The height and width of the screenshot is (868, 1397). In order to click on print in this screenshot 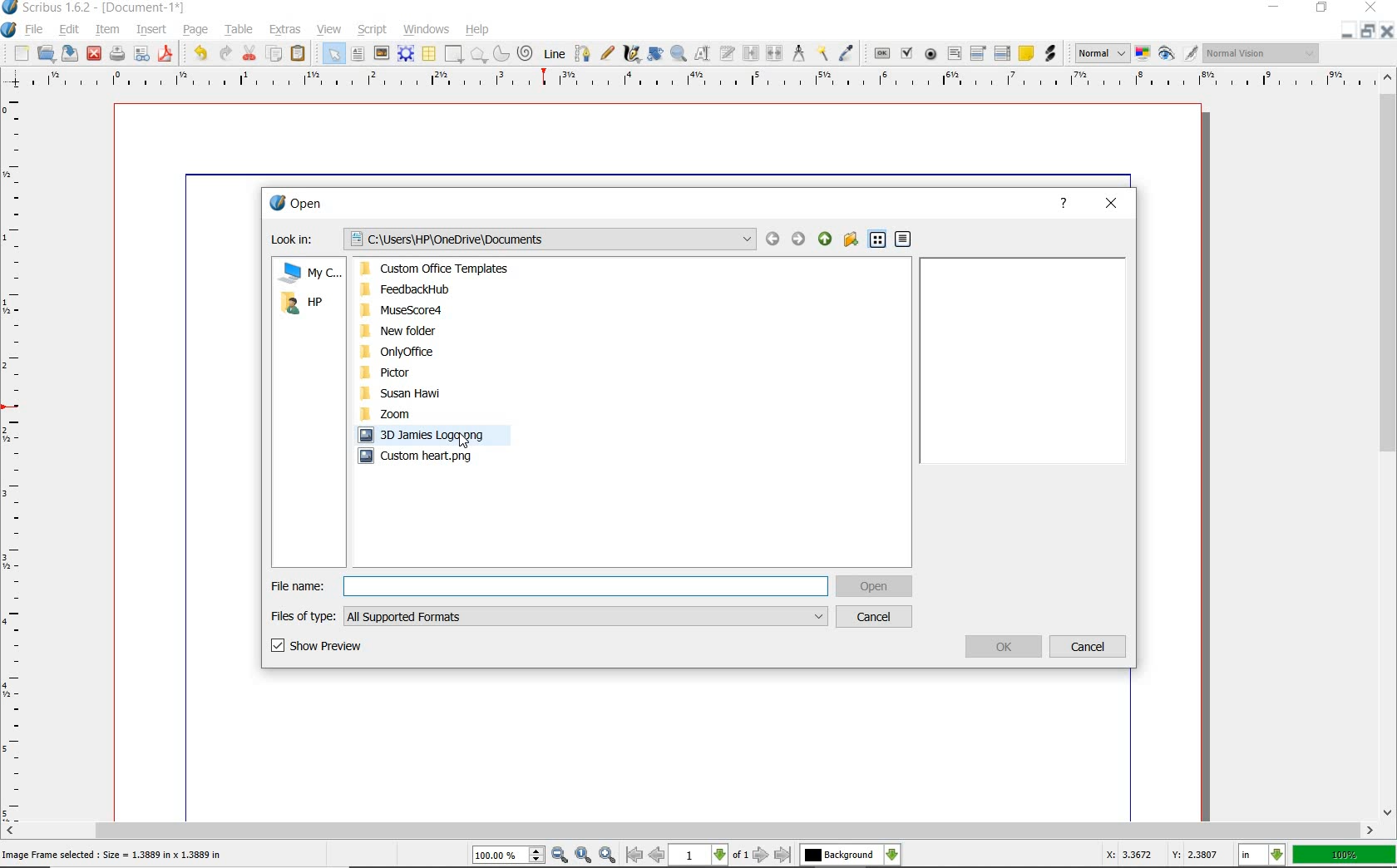, I will do `click(116, 52)`.